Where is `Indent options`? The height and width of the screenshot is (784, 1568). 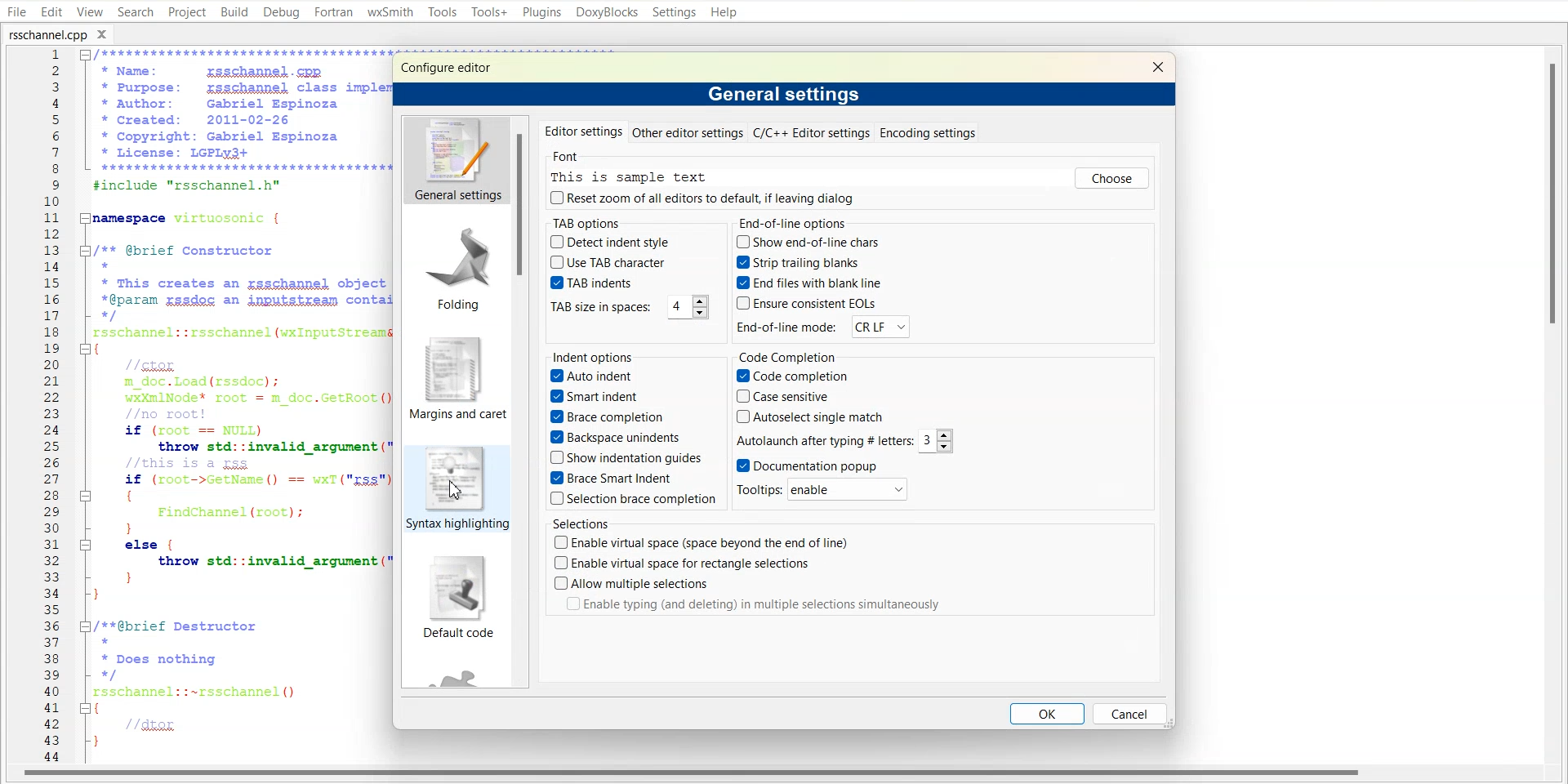
Indent options is located at coordinates (593, 357).